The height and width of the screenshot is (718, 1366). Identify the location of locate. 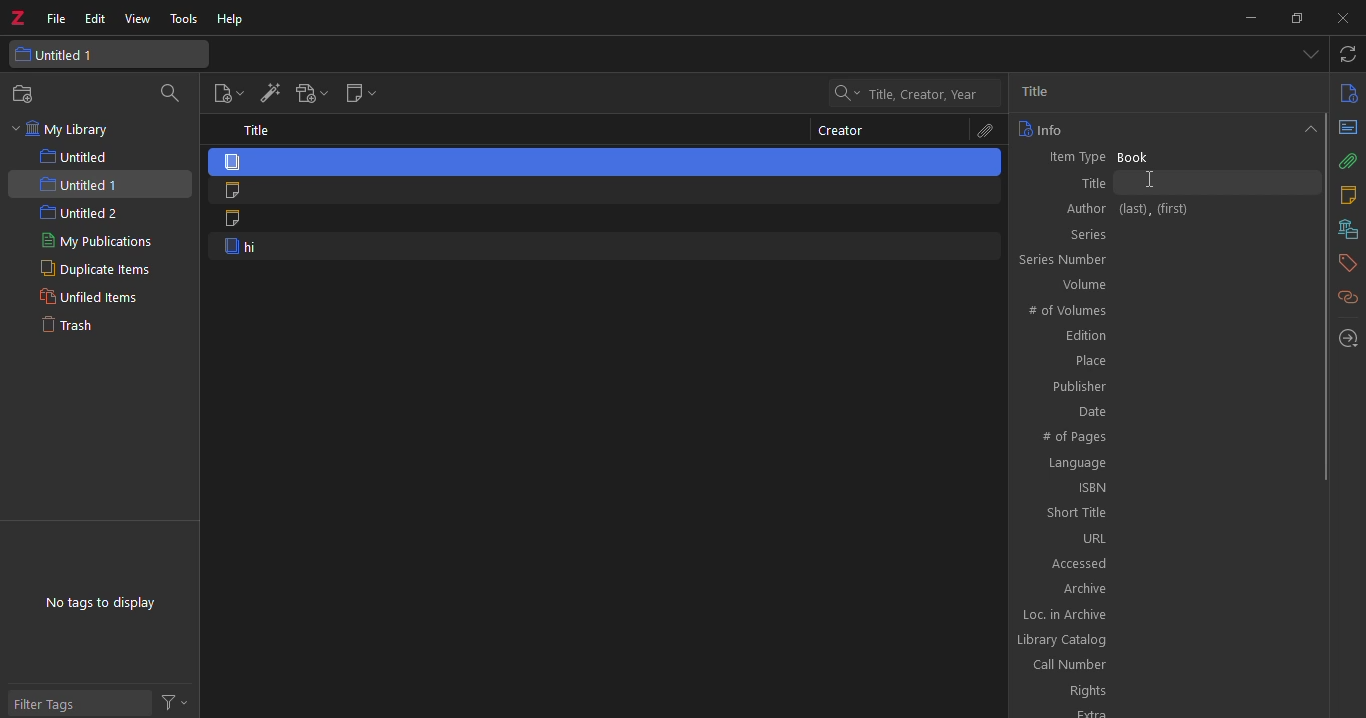
(1349, 338).